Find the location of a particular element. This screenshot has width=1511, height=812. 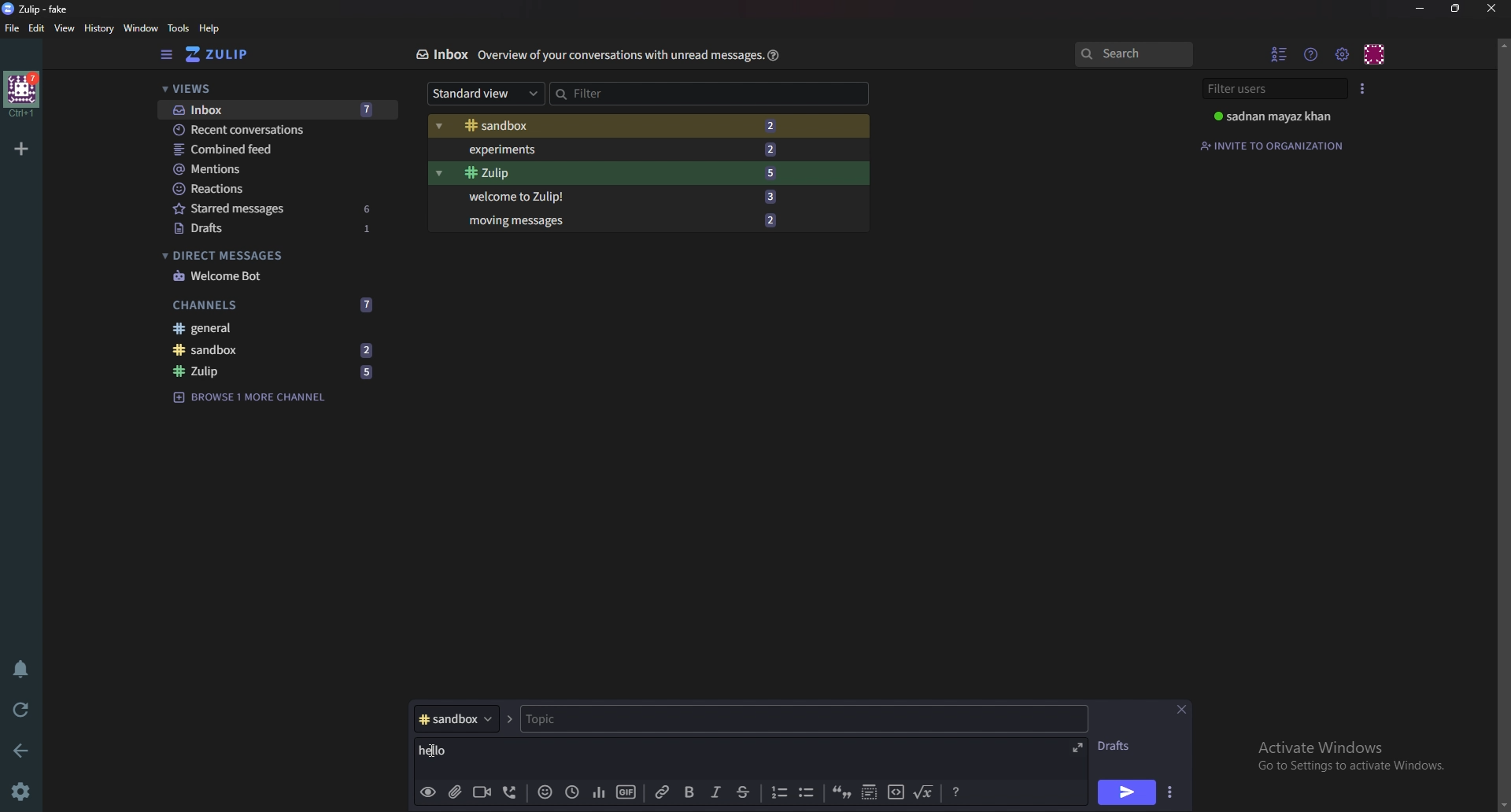

User list style is located at coordinates (1362, 88).